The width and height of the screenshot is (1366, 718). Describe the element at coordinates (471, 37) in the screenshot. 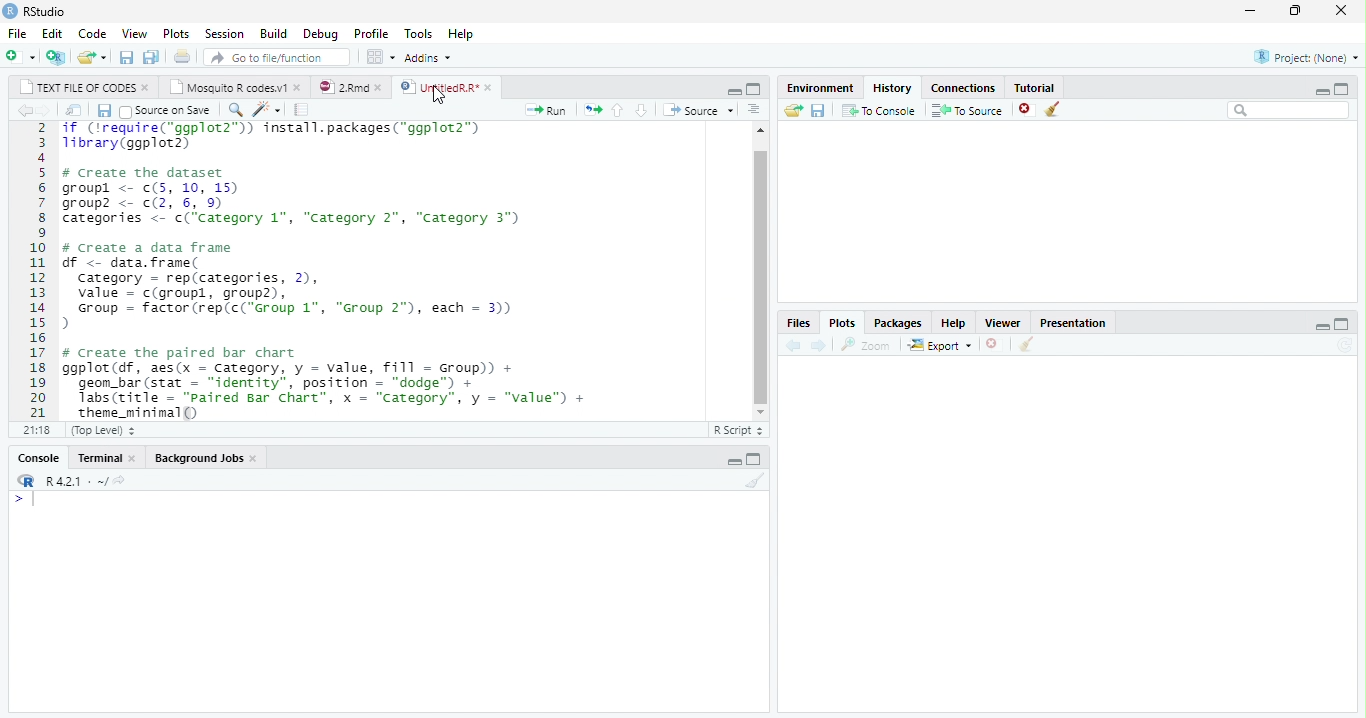

I see `help` at that location.